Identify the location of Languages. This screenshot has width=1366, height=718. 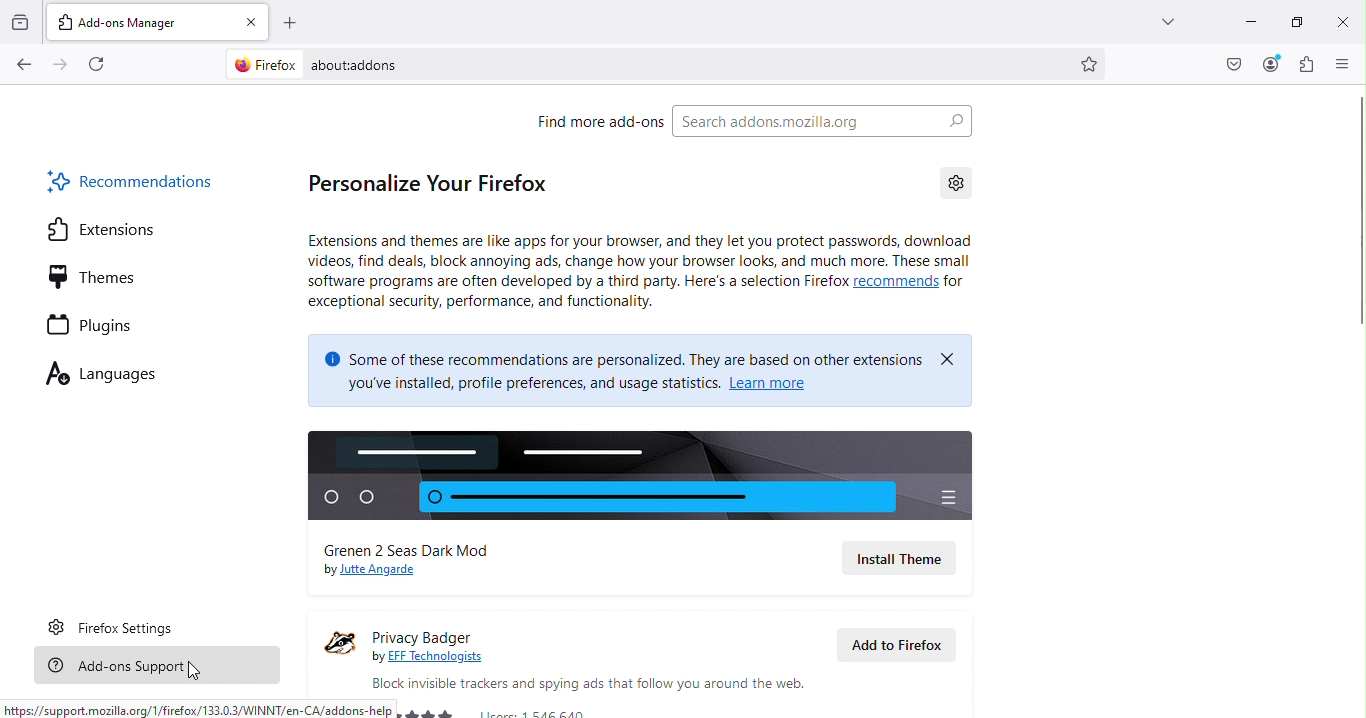
(102, 378).